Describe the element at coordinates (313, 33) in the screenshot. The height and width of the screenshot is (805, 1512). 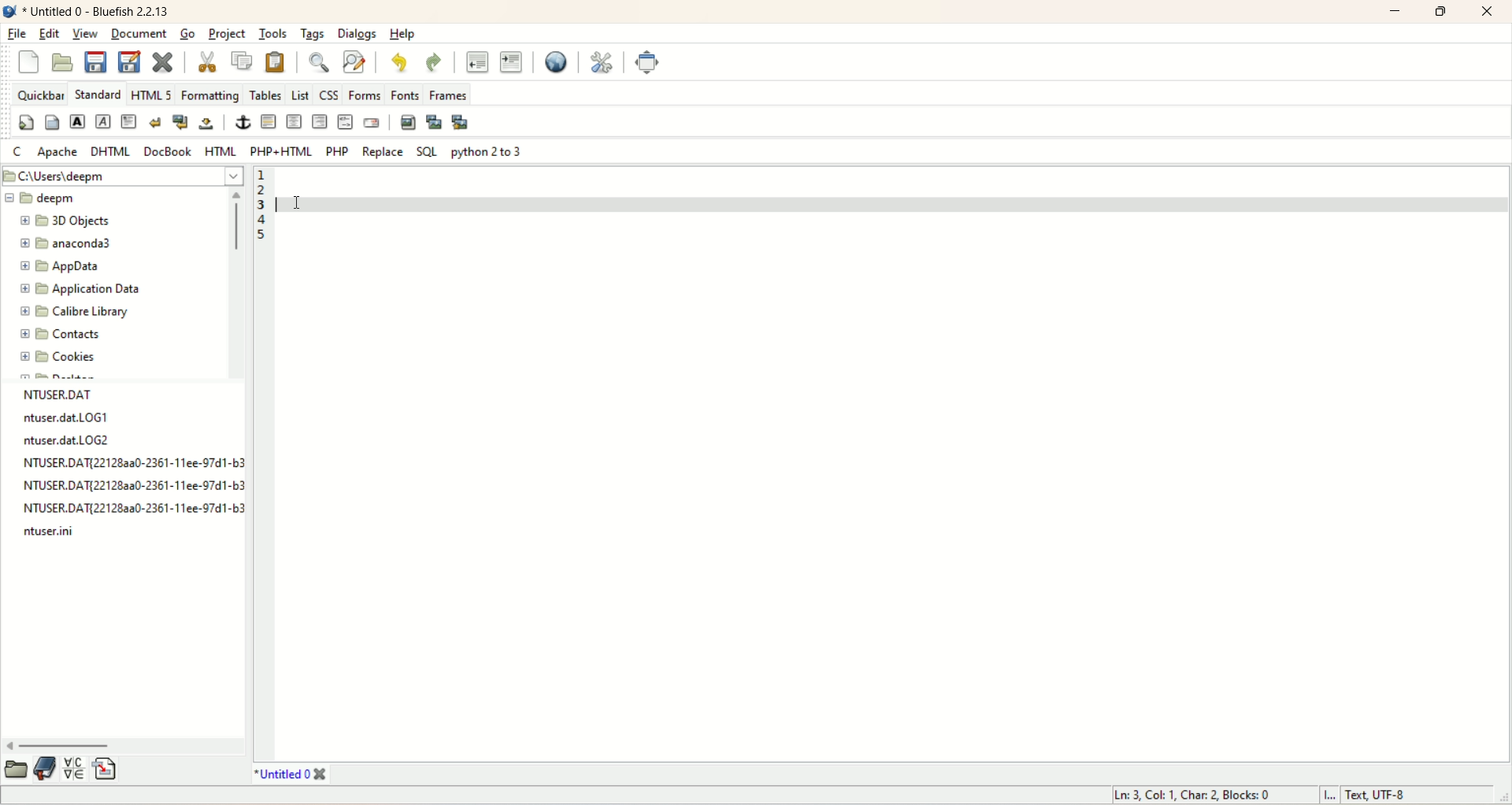
I see `tags` at that location.